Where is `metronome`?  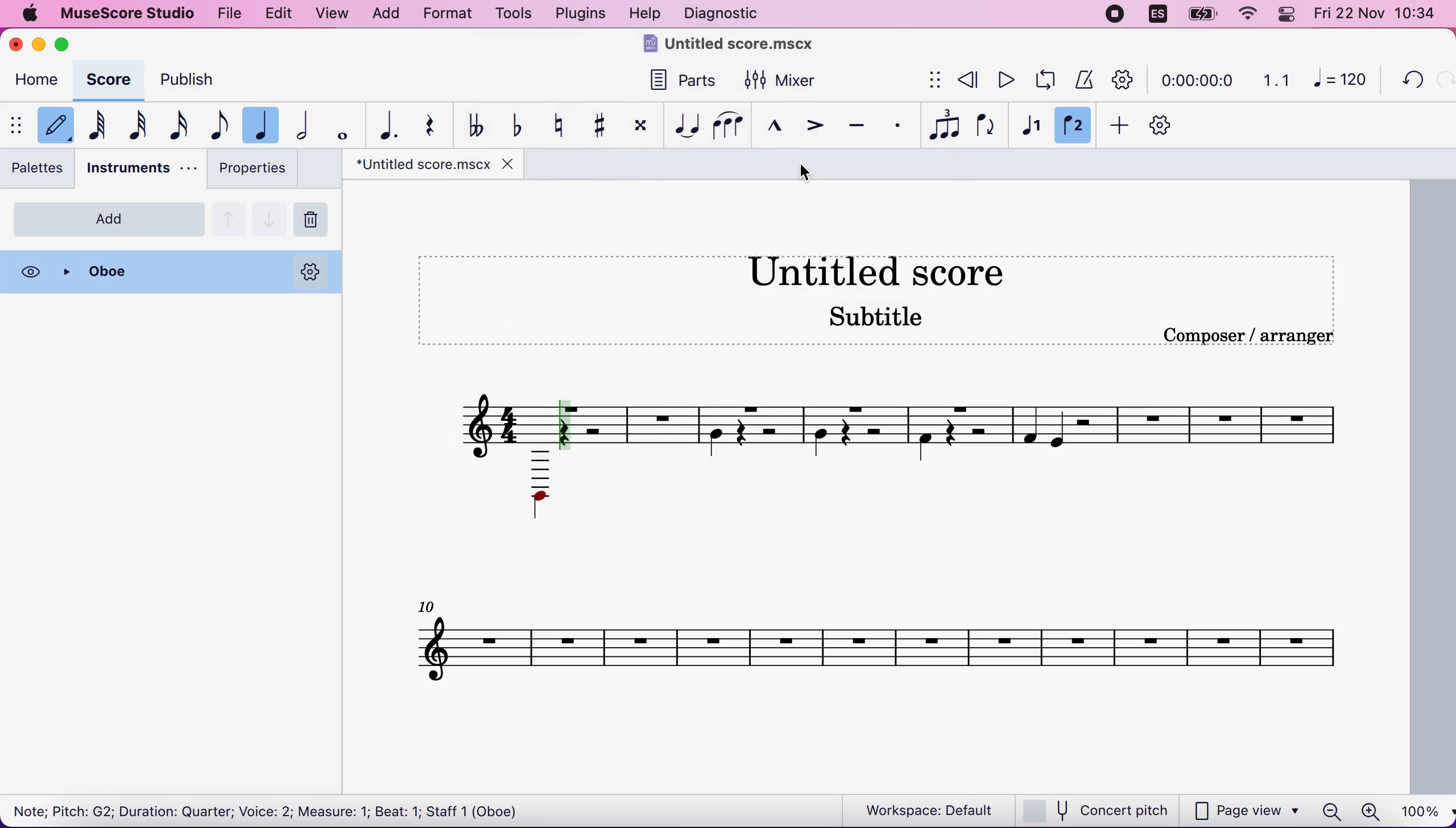 metronome is located at coordinates (1086, 78).